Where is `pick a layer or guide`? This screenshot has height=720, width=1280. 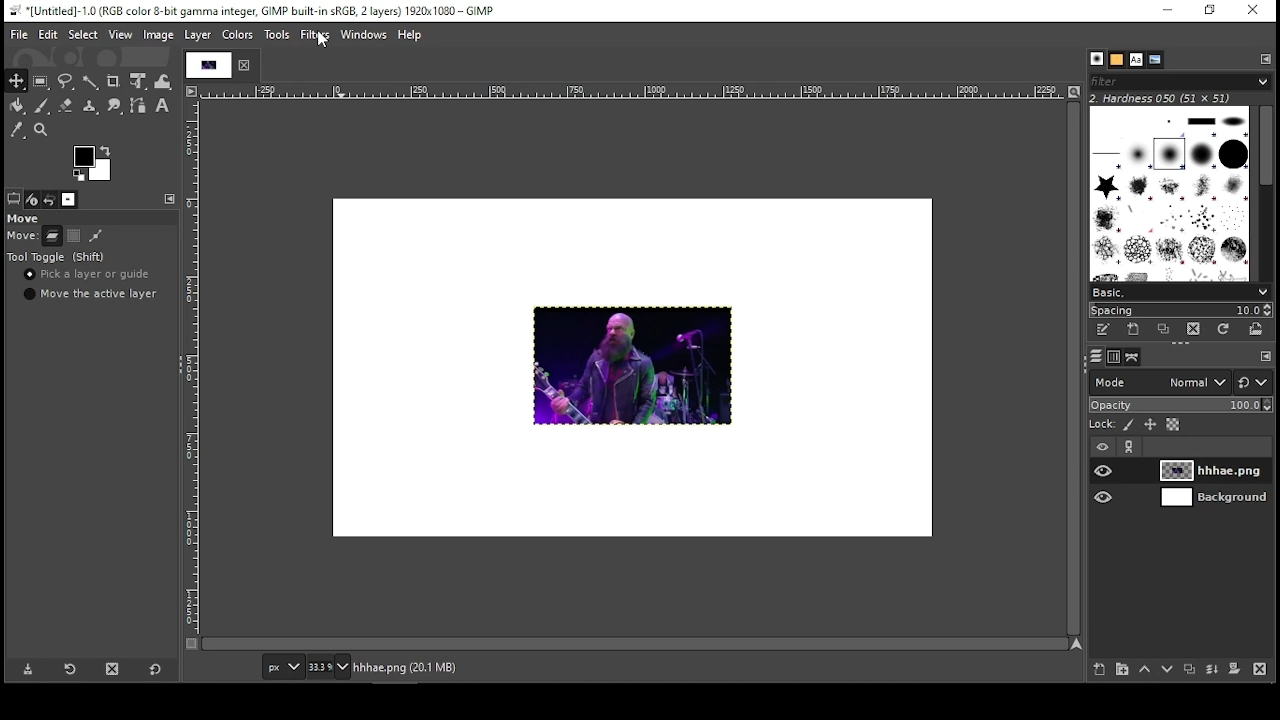 pick a layer or guide is located at coordinates (89, 275).